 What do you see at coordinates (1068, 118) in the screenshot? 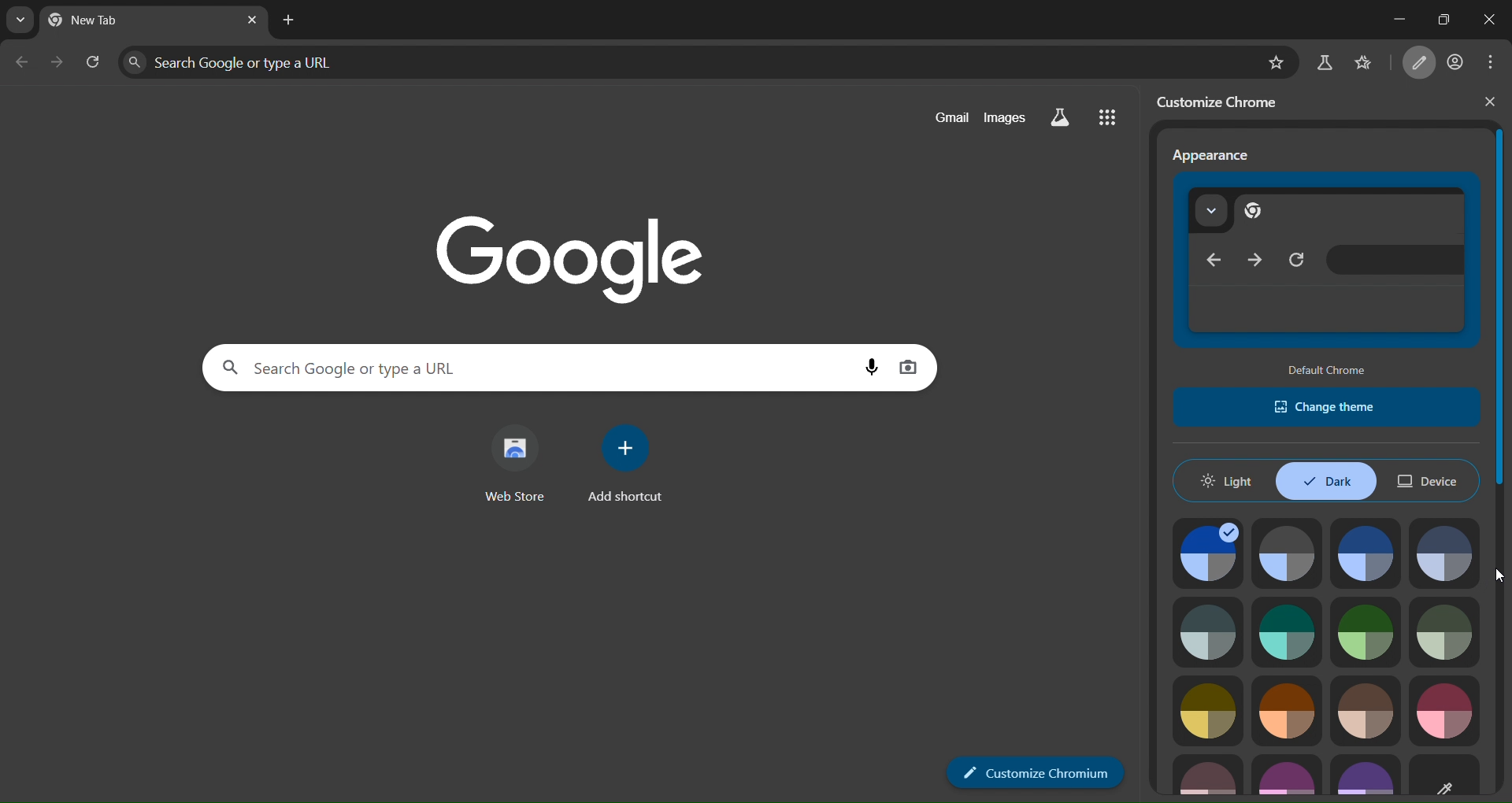
I see `search labs` at bounding box center [1068, 118].